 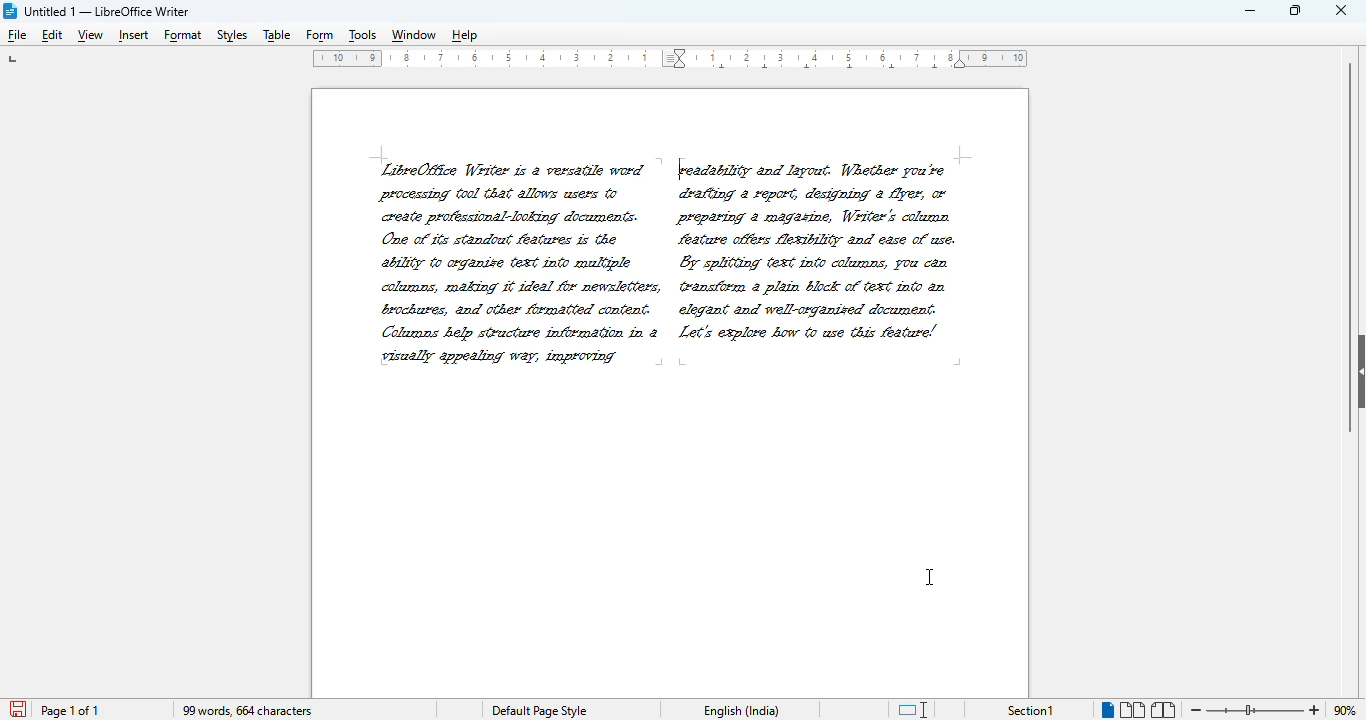 What do you see at coordinates (183, 36) in the screenshot?
I see `format` at bounding box center [183, 36].